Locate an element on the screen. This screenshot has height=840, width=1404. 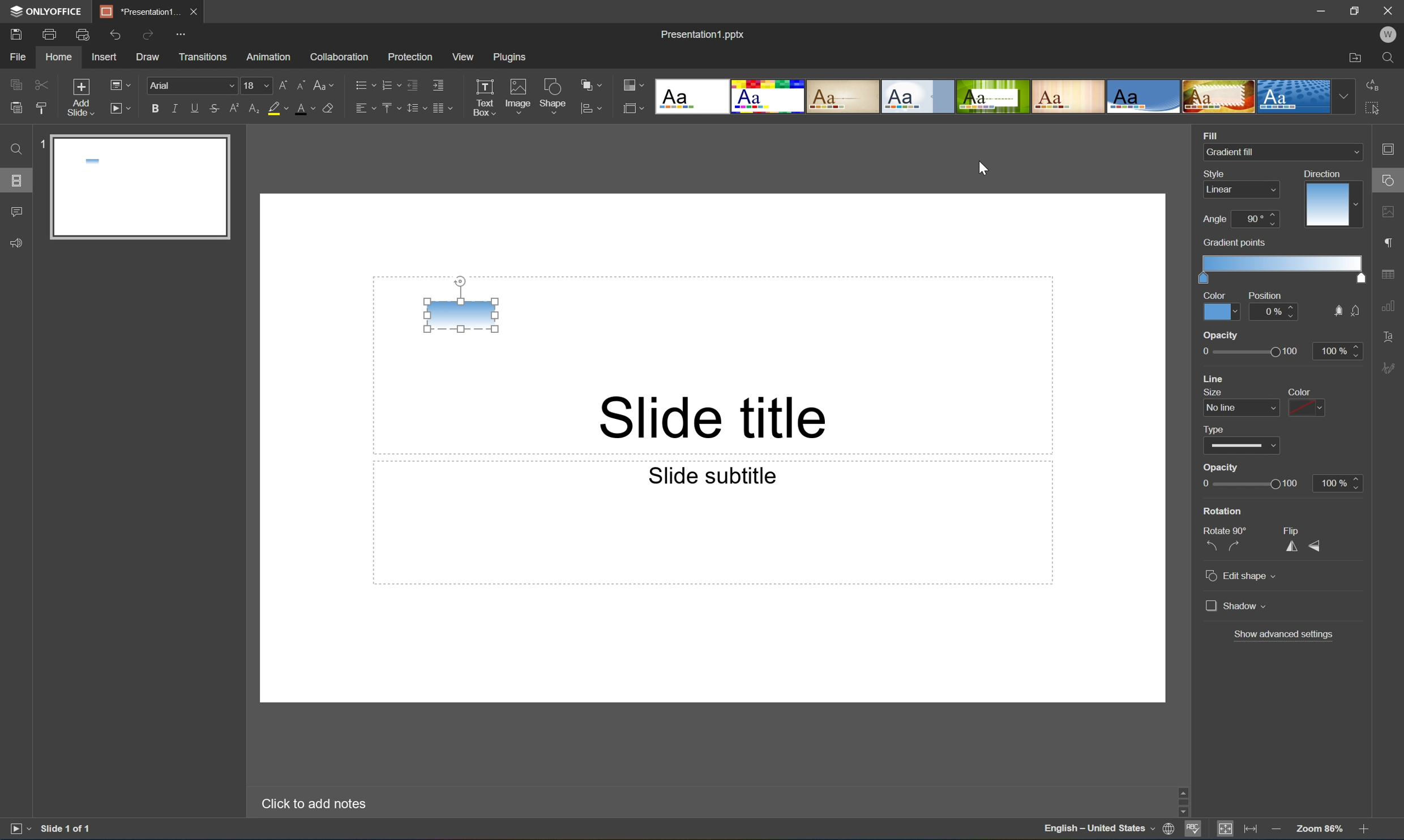
W is located at coordinates (1390, 35).